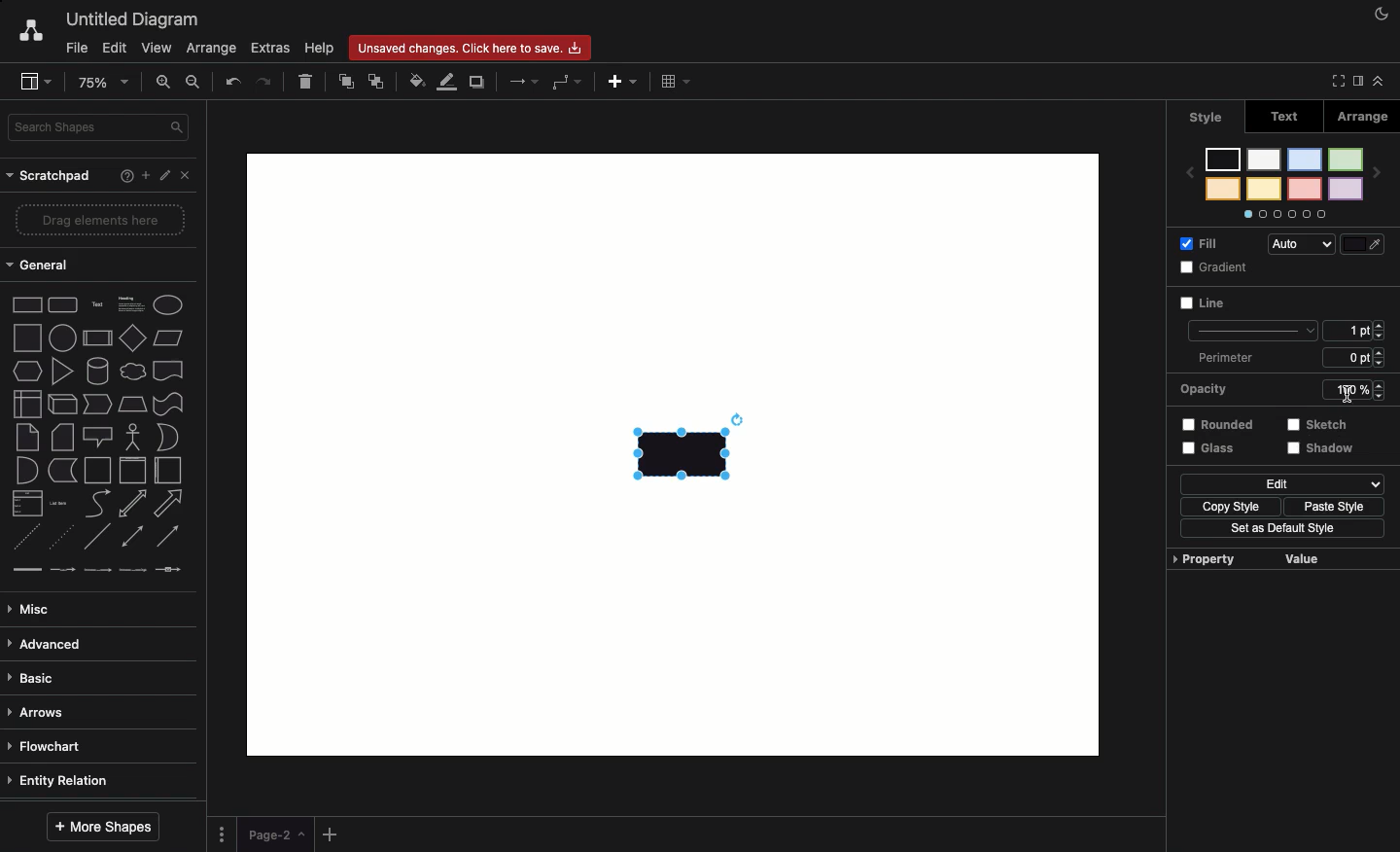  Describe the element at coordinates (1201, 243) in the screenshot. I see `Fill` at that location.